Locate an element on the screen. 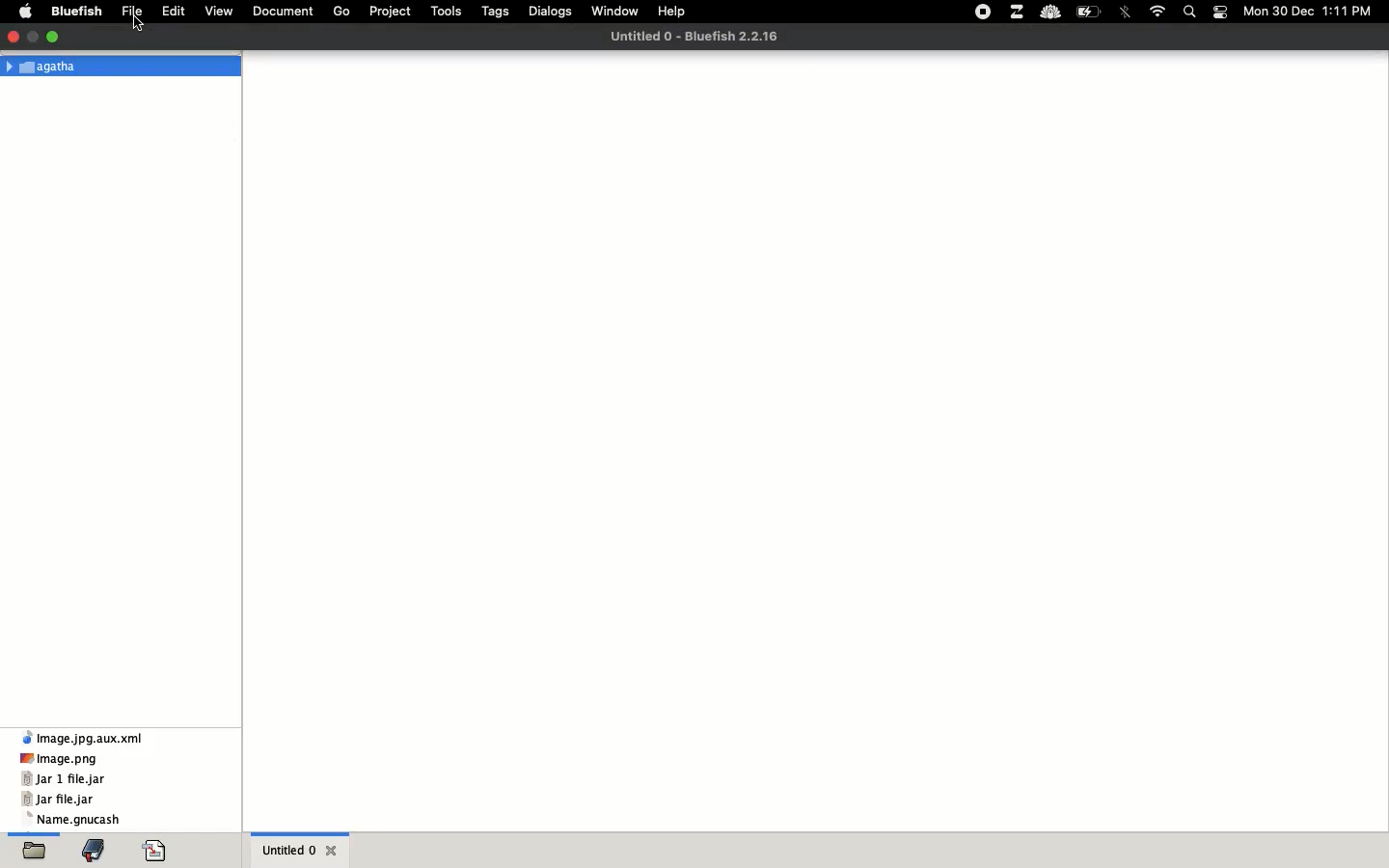  tags is located at coordinates (497, 11).